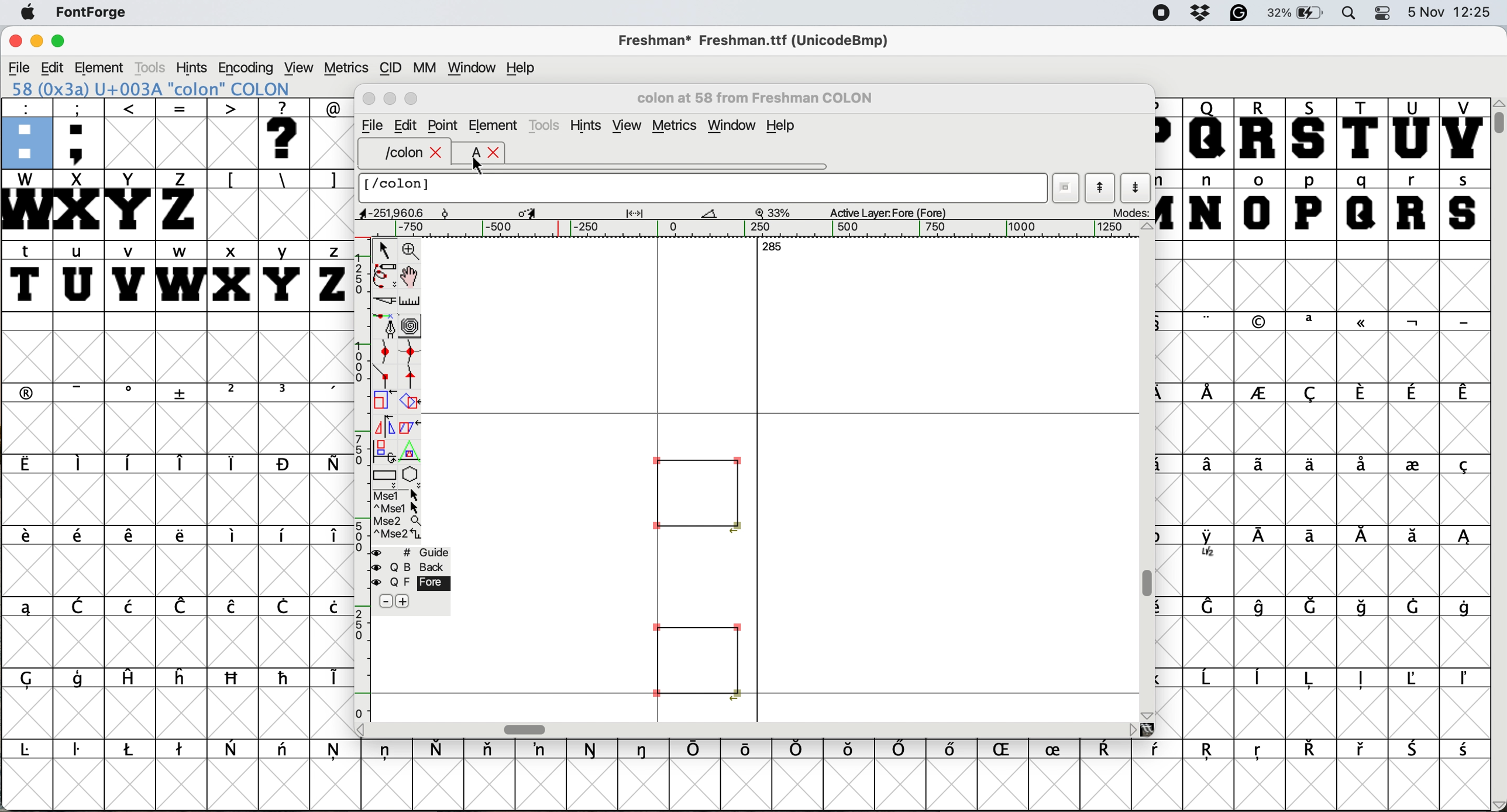  I want to click on draw freehand curve, so click(384, 274).